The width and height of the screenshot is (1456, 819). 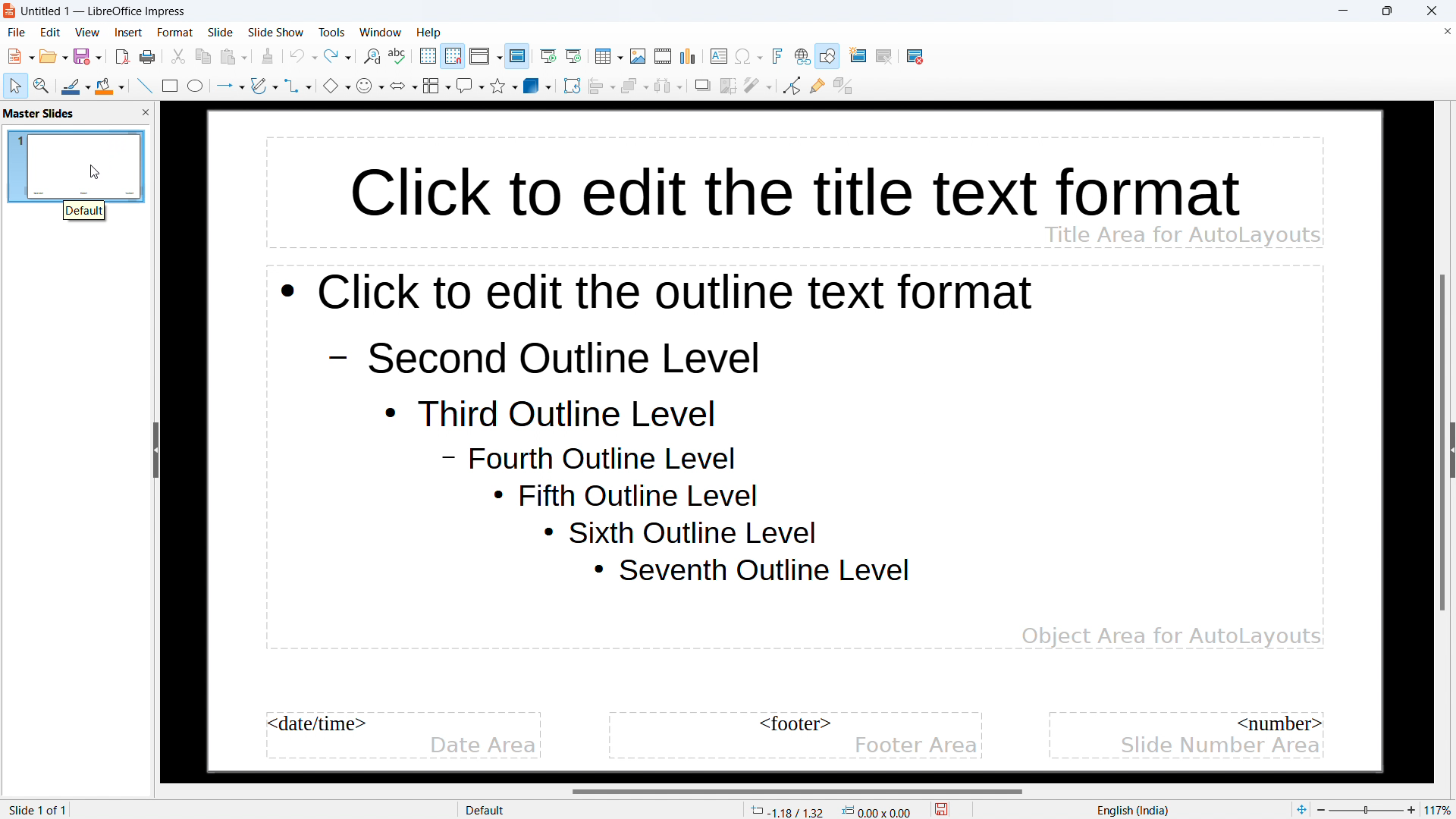 What do you see at coordinates (792, 86) in the screenshot?
I see `toggle point edit mode` at bounding box center [792, 86].